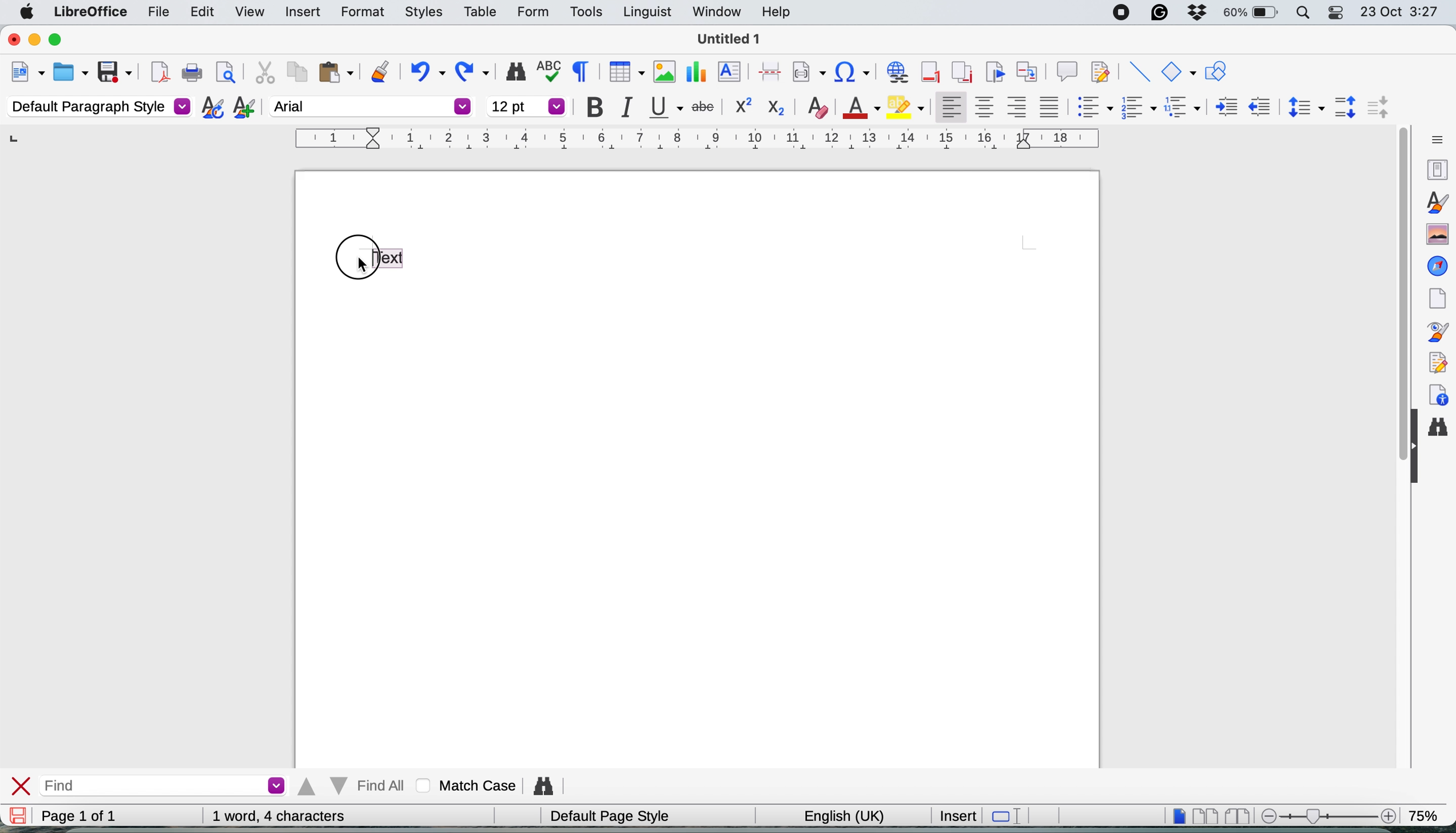  What do you see at coordinates (579, 72) in the screenshot?
I see `toggle formatting marks` at bounding box center [579, 72].